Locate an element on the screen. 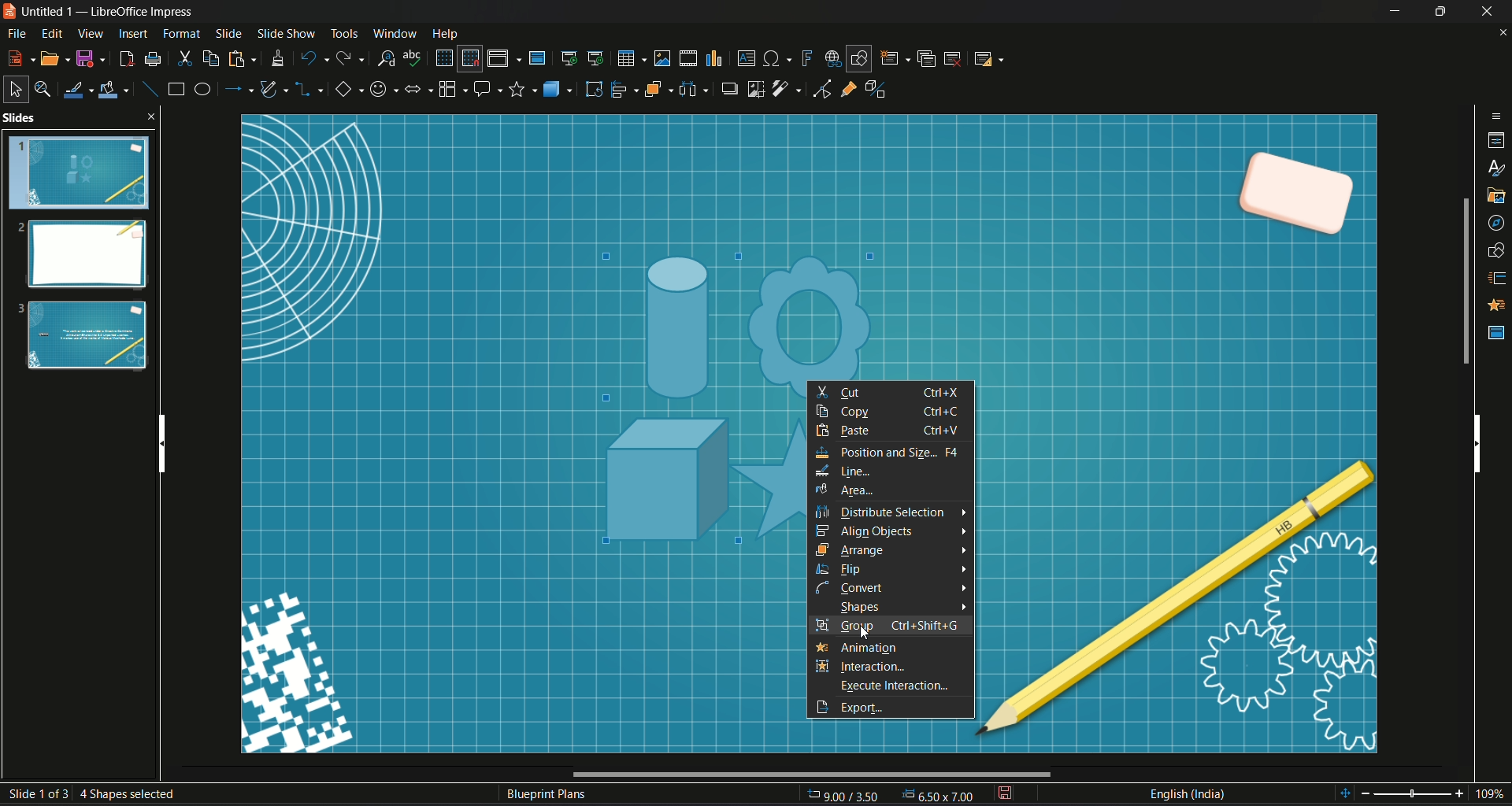 Image resolution: width=1512 pixels, height=806 pixels. Close is located at coordinates (1488, 11).